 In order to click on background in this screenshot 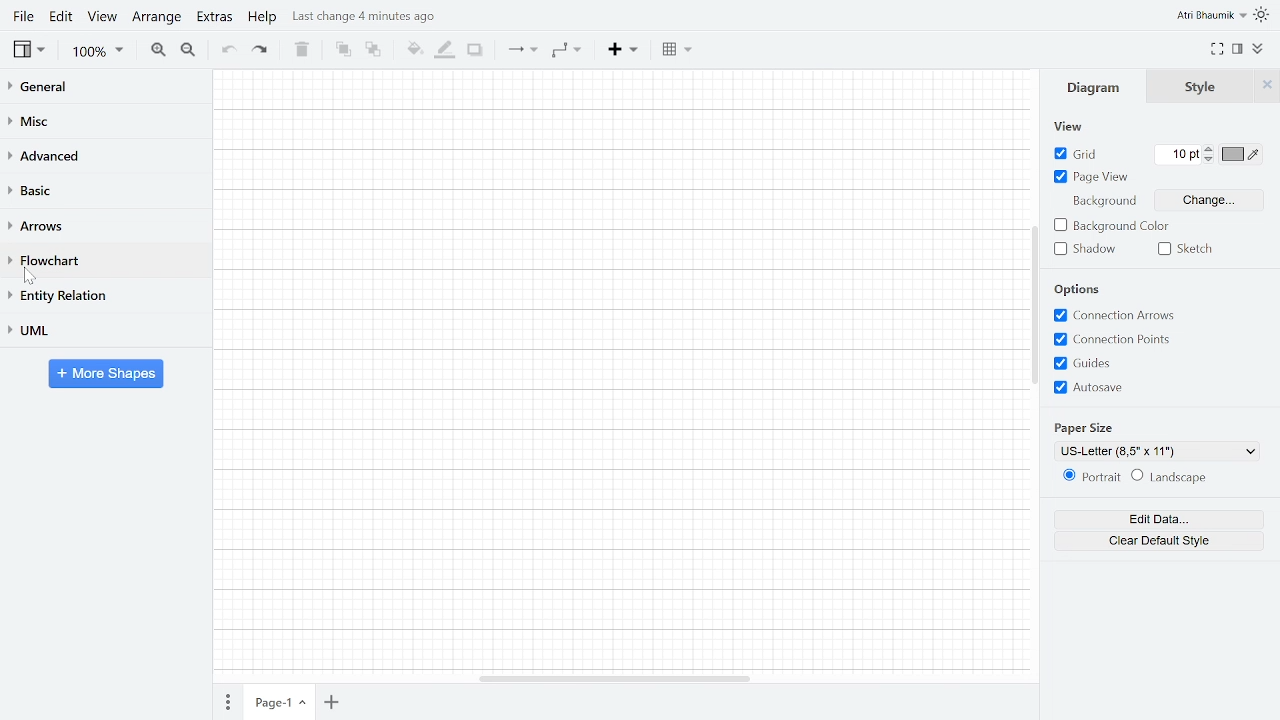, I will do `click(1103, 203)`.